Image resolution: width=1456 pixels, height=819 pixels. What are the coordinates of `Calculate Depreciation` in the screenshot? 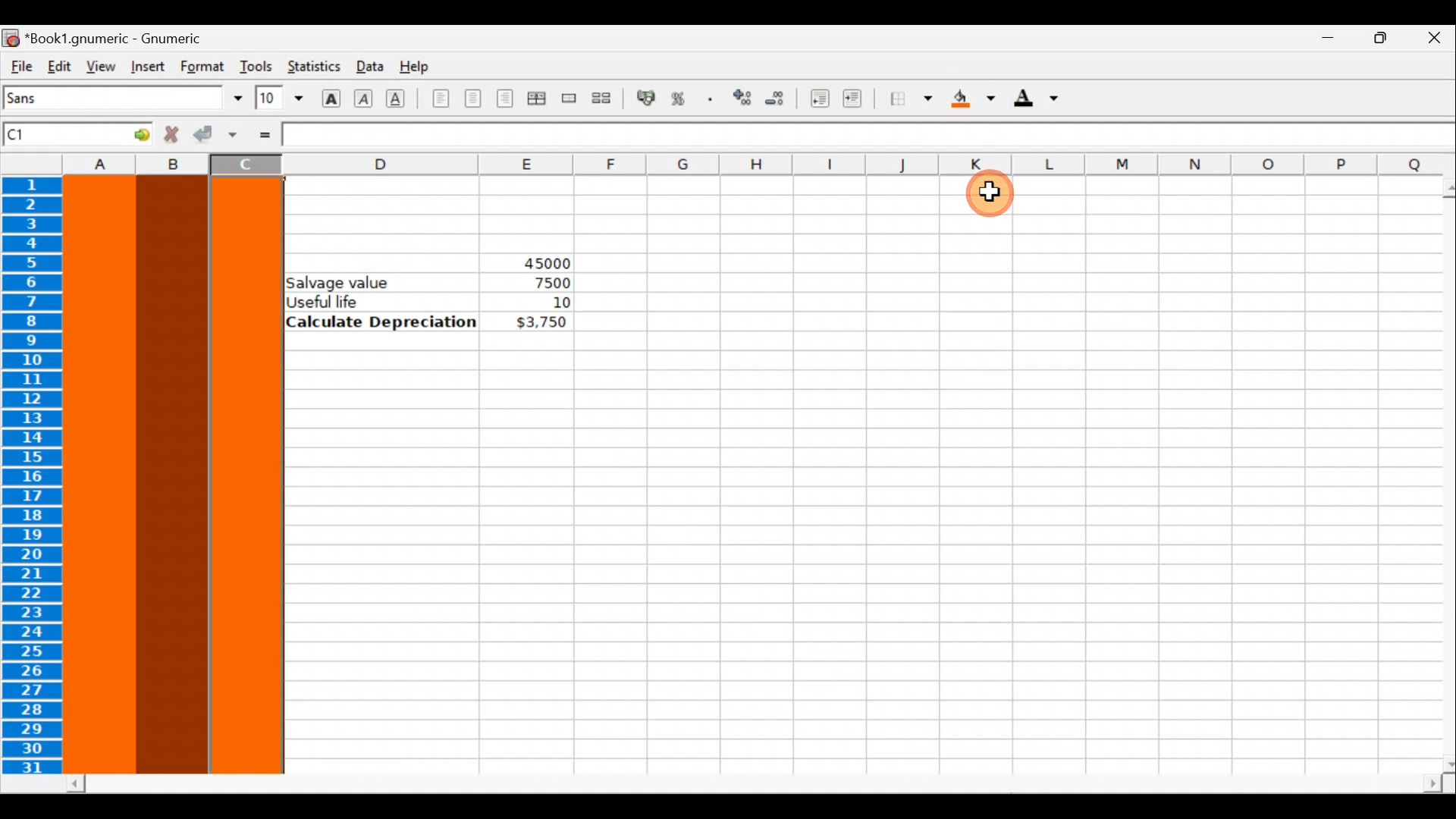 It's located at (381, 321).